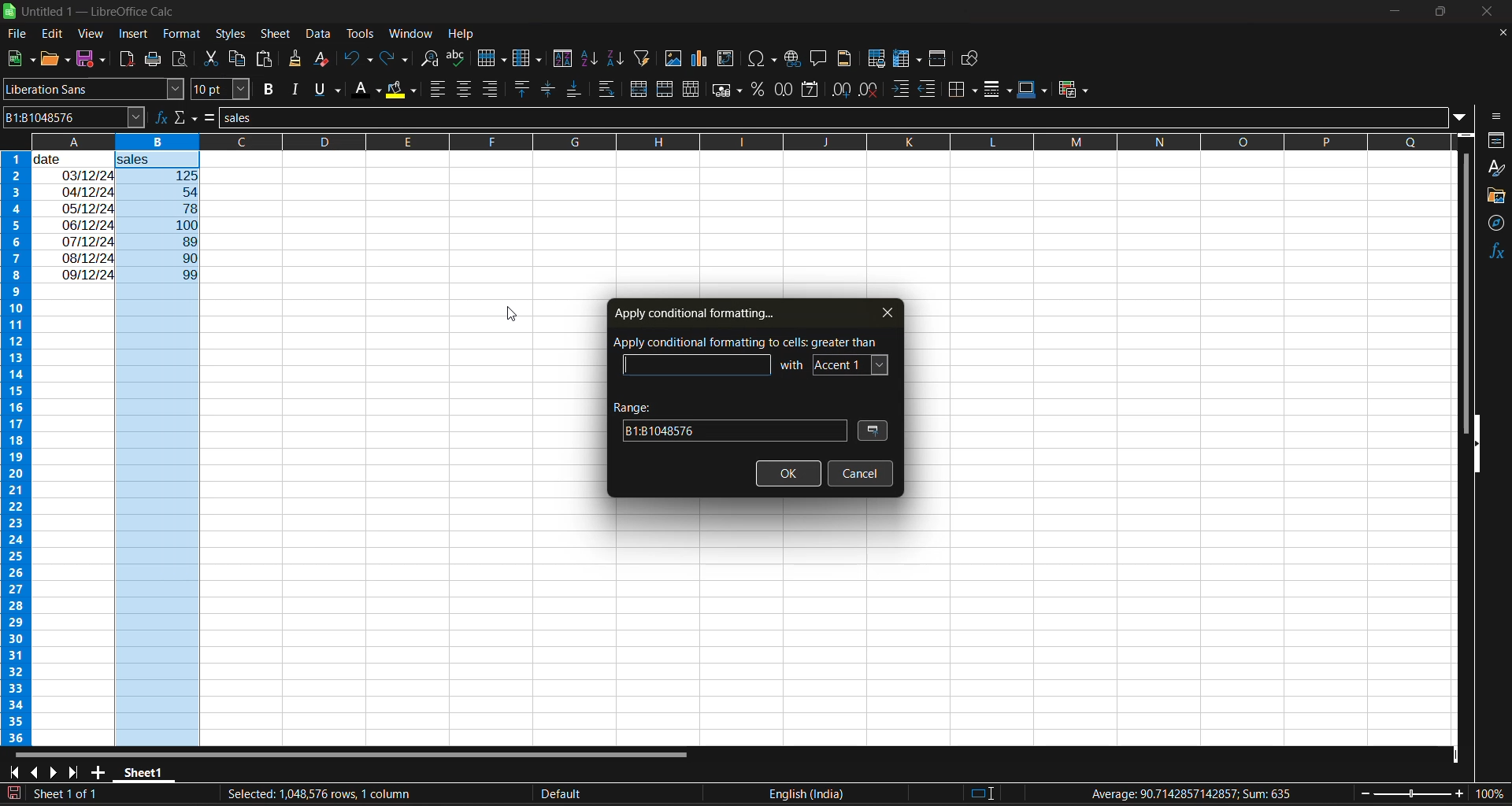 Image resolution: width=1512 pixels, height=806 pixels. Describe the element at coordinates (666, 89) in the screenshot. I see `merge cells` at that location.